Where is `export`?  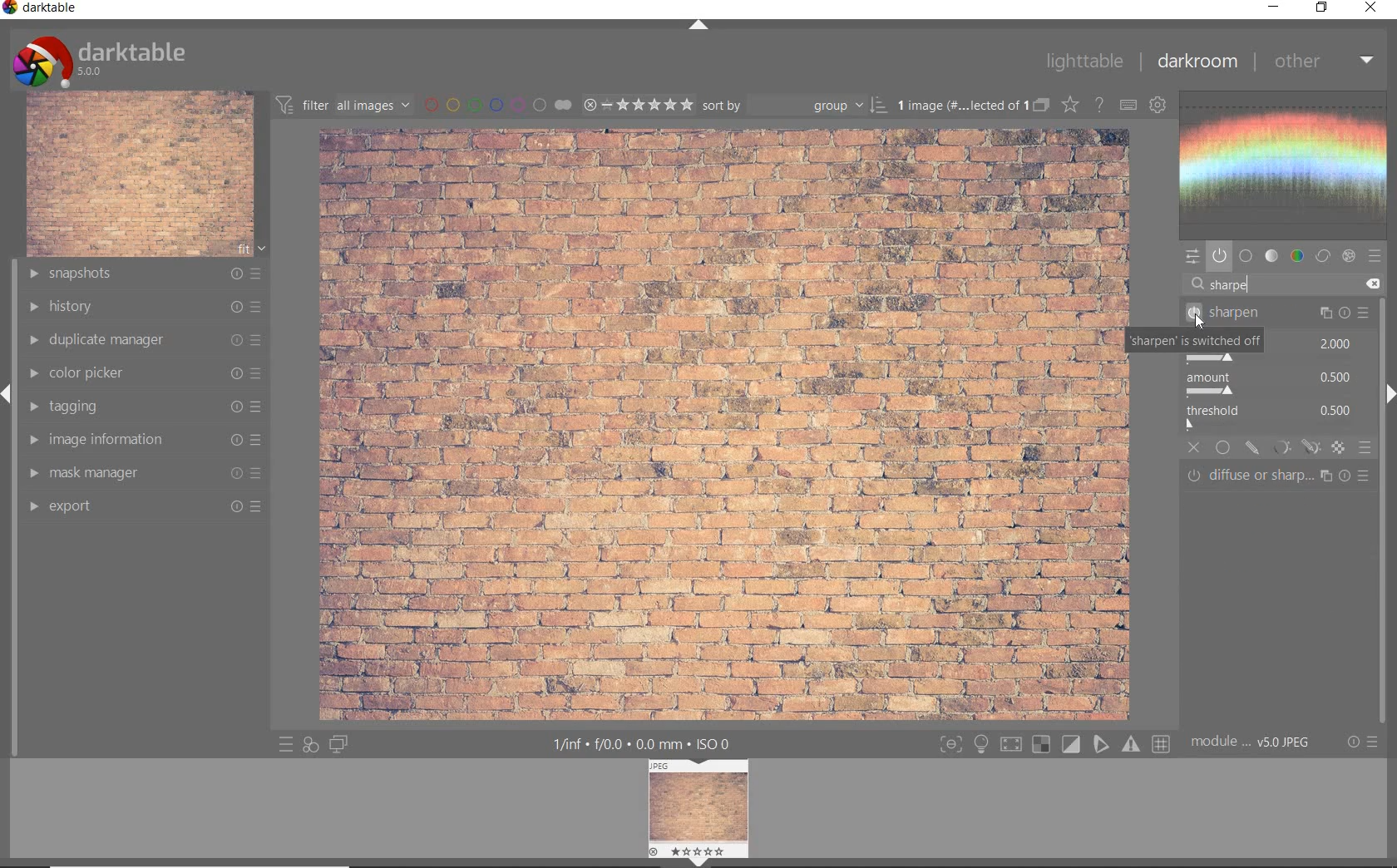 export is located at coordinates (144, 509).